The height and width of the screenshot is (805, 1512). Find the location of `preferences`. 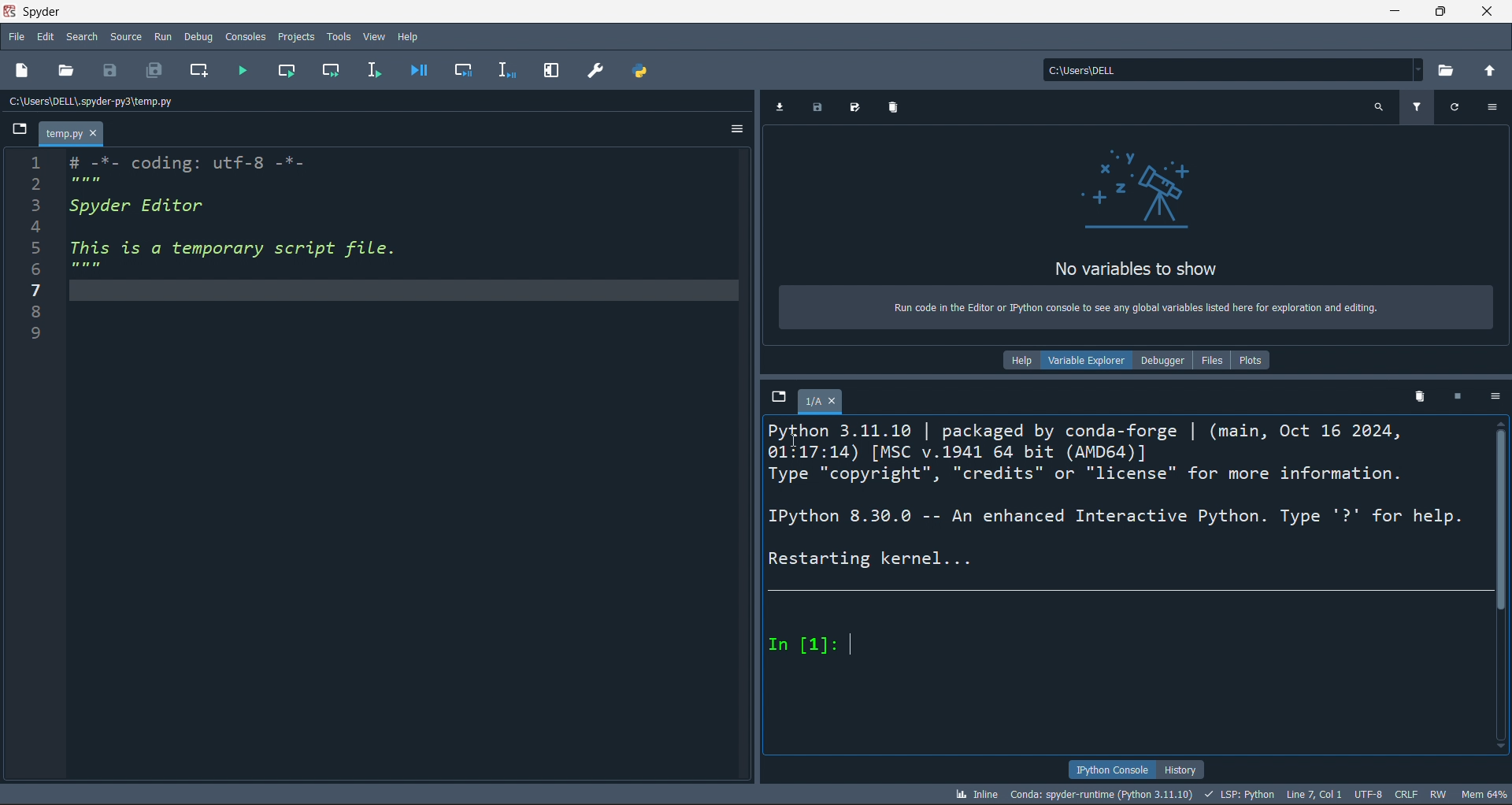

preferences is located at coordinates (595, 69).